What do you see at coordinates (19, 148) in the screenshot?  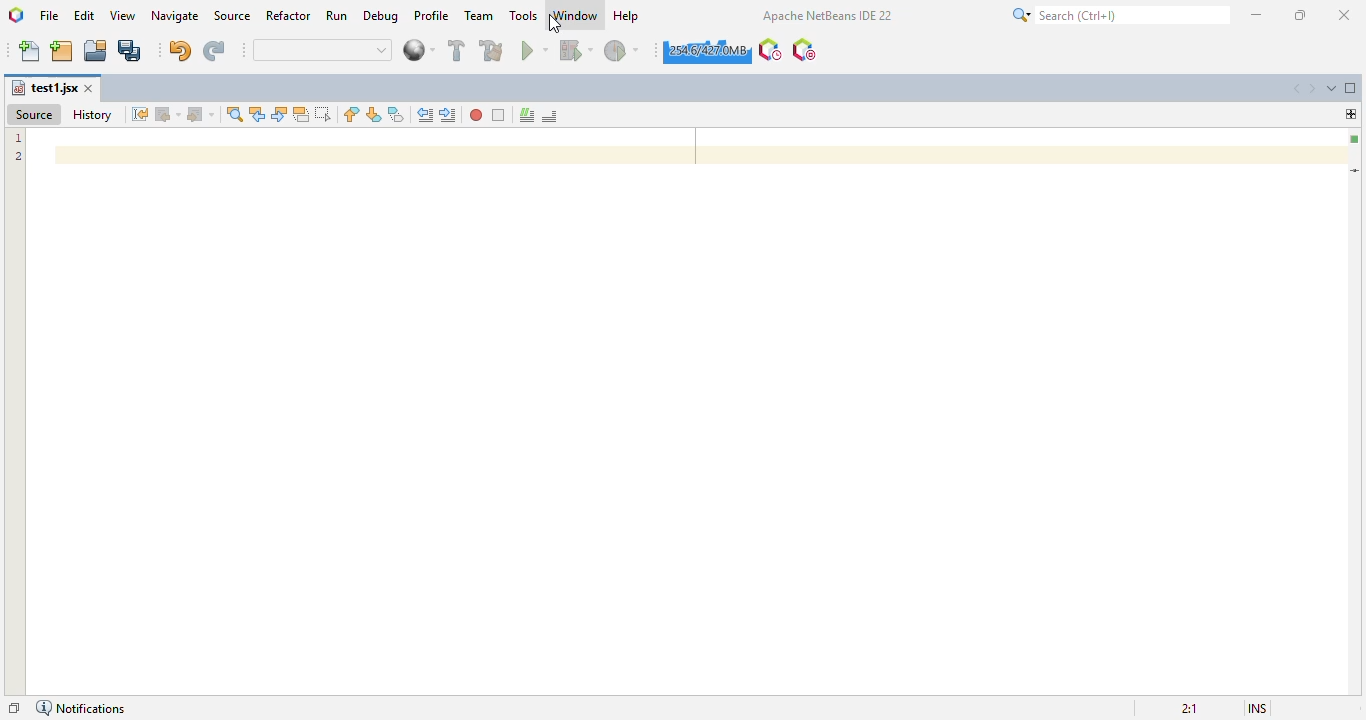 I see `line numbers` at bounding box center [19, 148].